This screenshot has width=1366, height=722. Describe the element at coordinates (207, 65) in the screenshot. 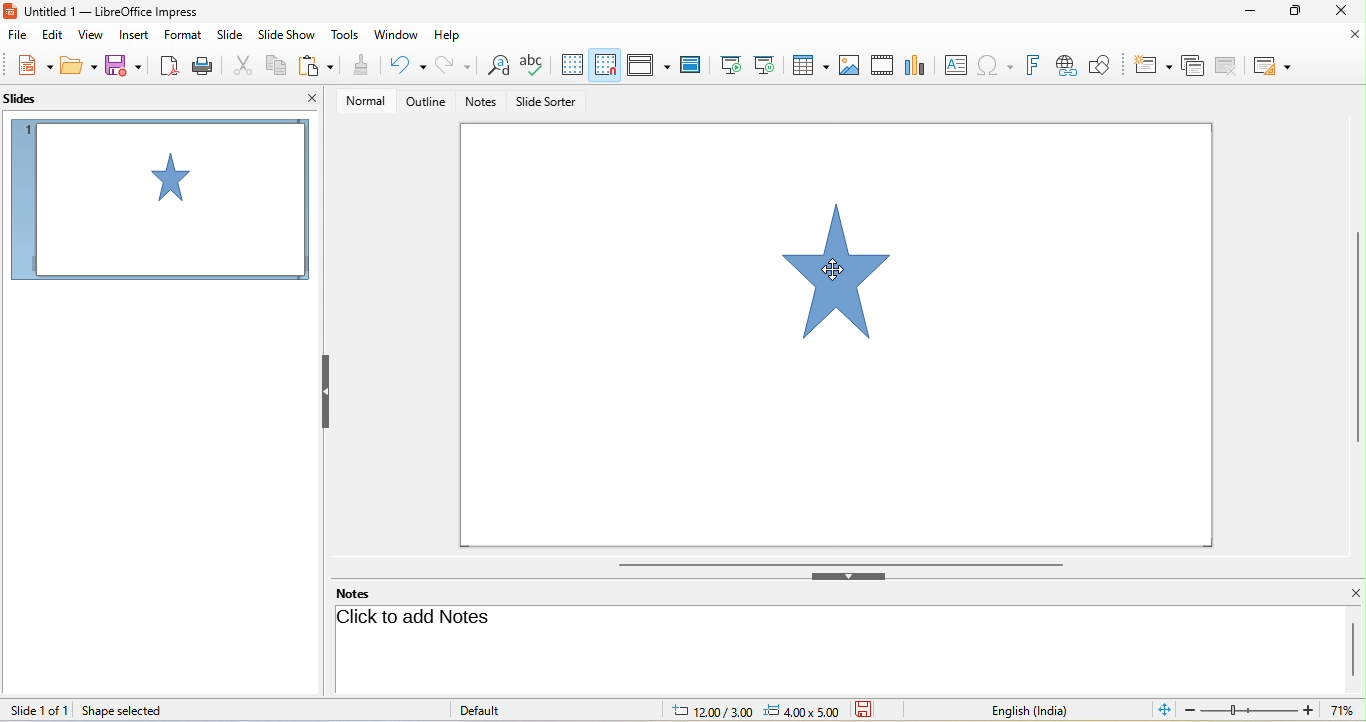

I see `print` at that location.